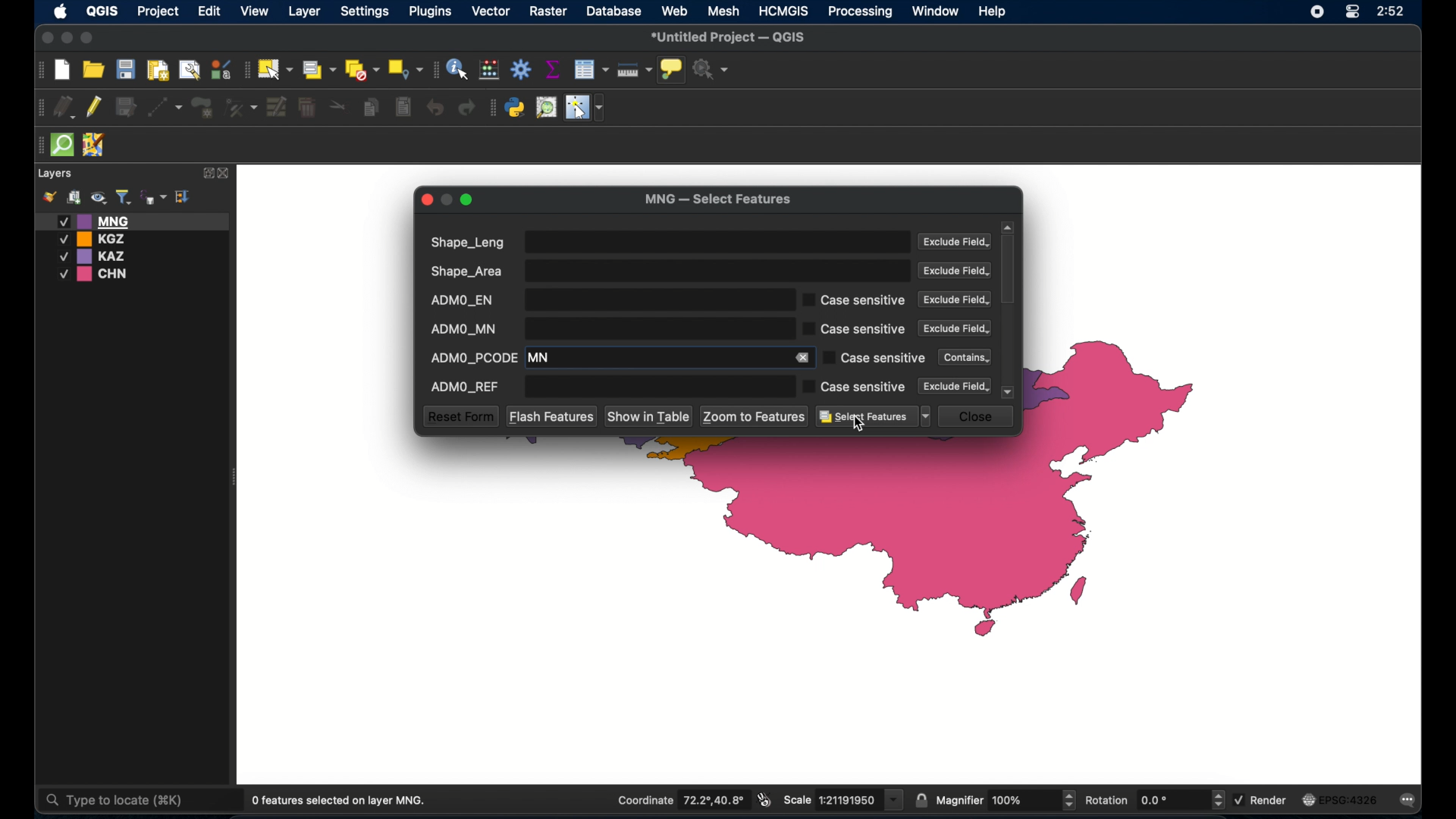  I want to click on 2:52, so click(1389, 12).